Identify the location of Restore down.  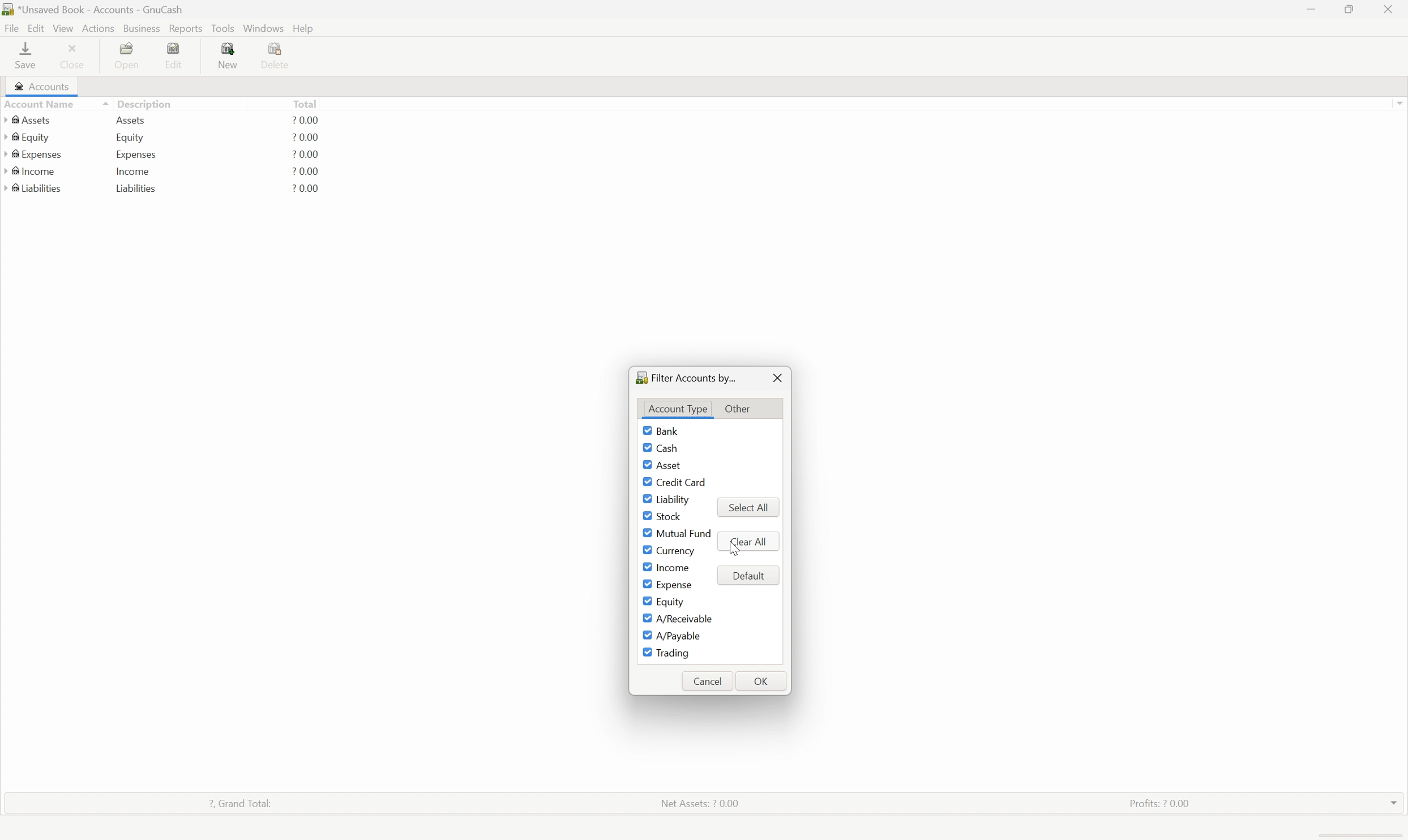
(1353, 8).